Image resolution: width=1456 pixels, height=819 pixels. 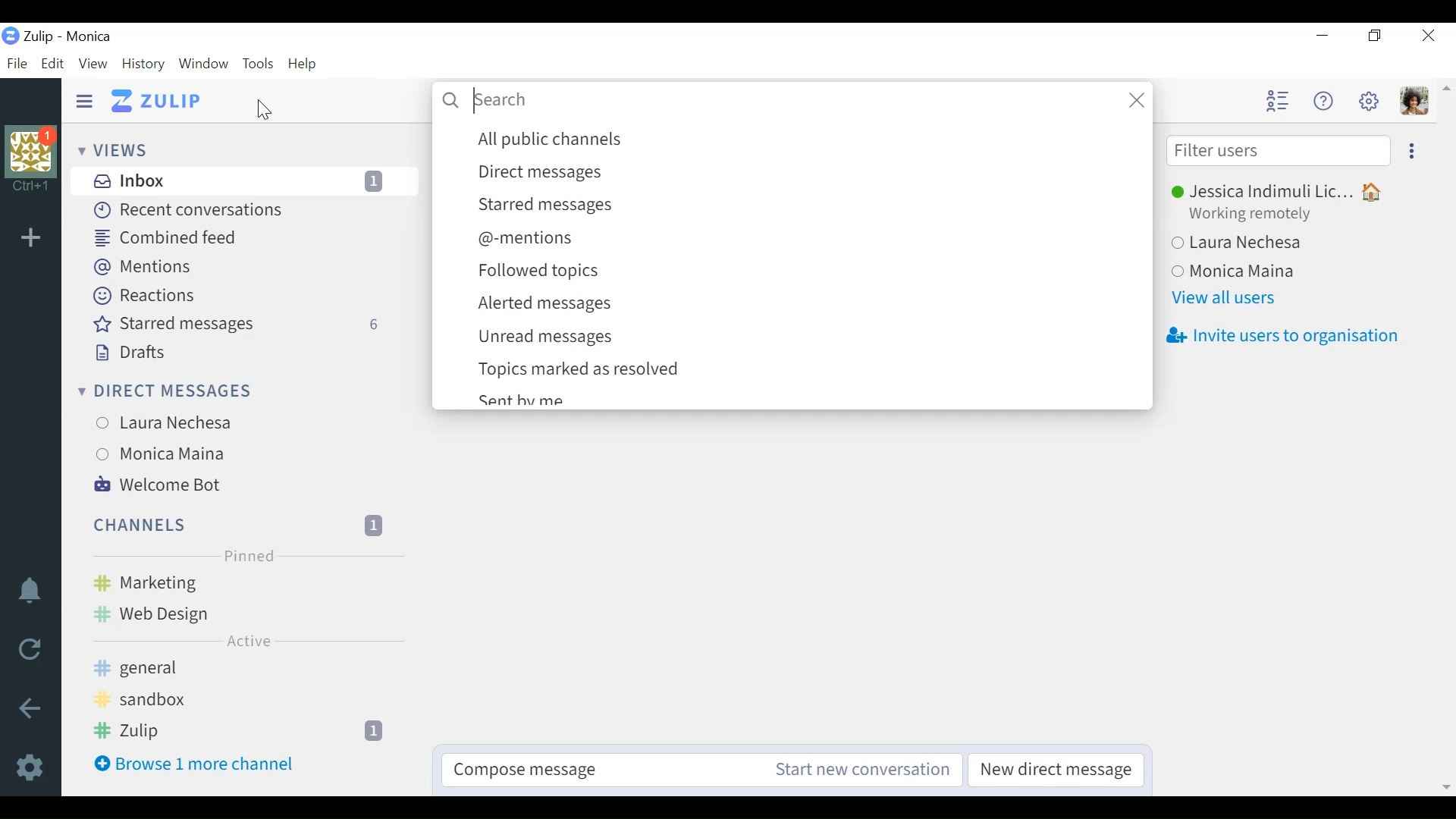 I want to click on scroll arrow , so click(x=1447, y=99).